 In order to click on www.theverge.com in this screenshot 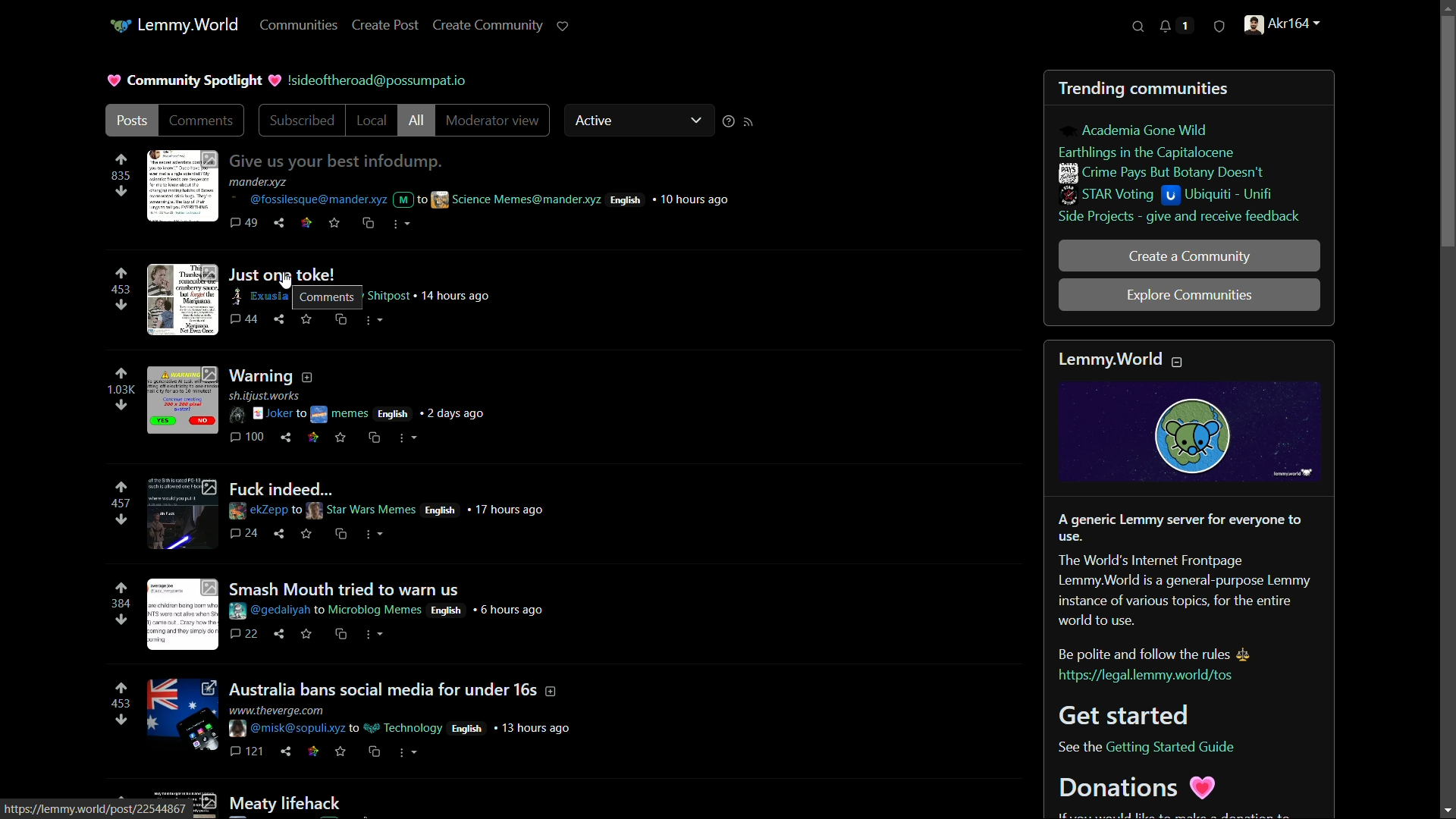, I will do `click(278, 708)`.